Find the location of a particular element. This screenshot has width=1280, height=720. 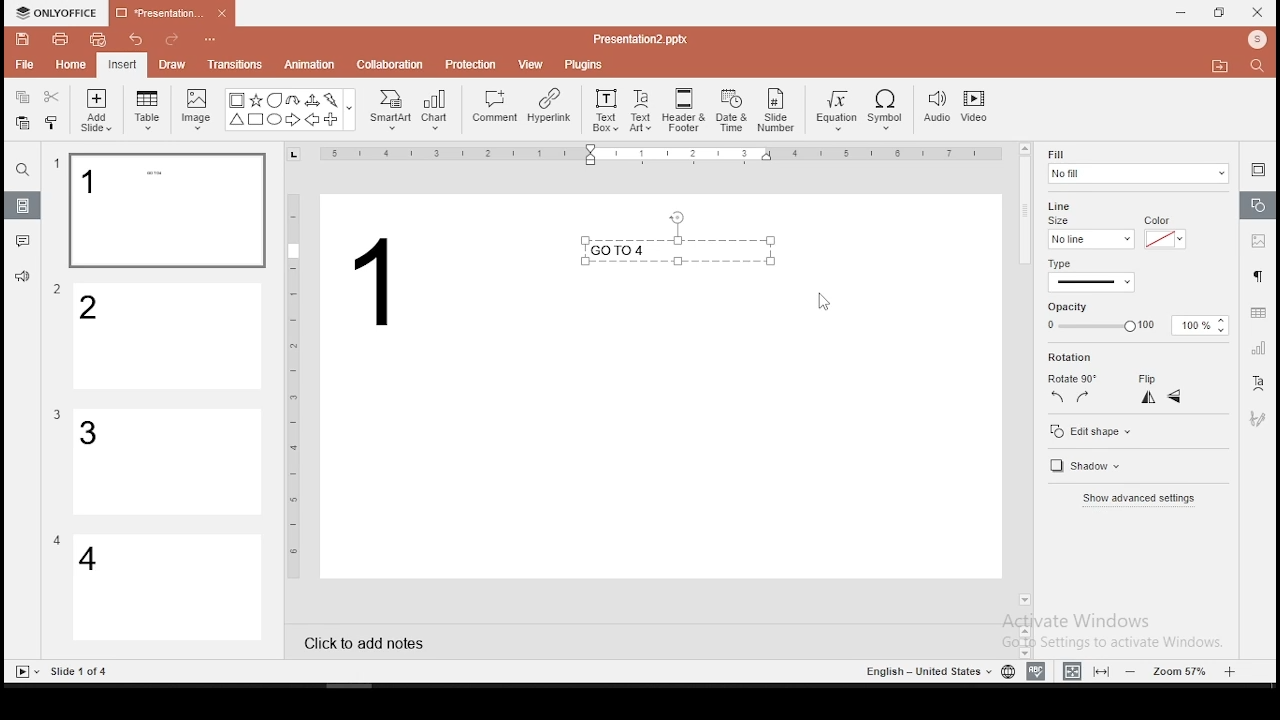

line type is located at coordinates (1090, 276).